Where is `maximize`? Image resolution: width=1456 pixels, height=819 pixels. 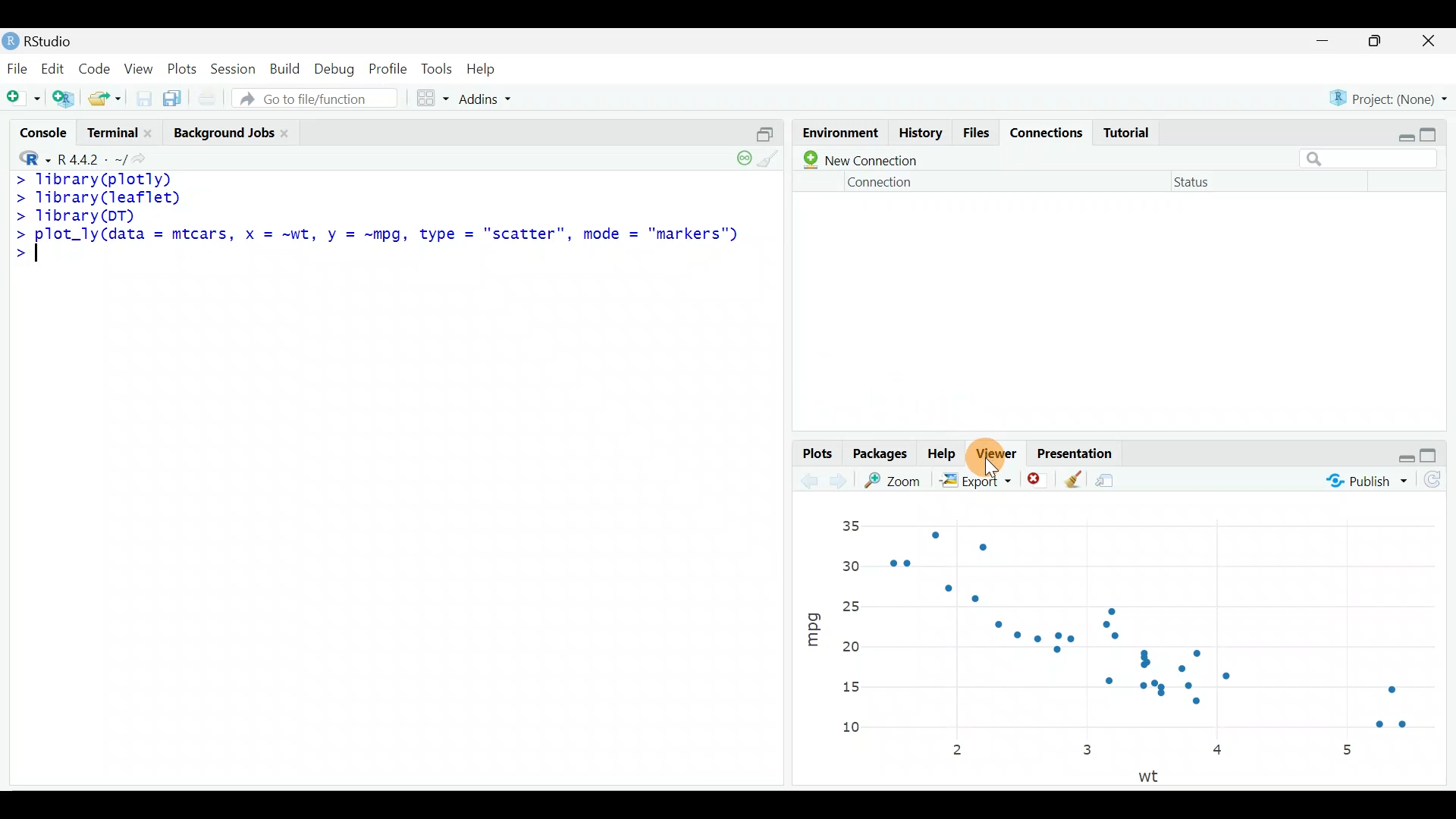 maximize is located at coordinates (1382, 42).